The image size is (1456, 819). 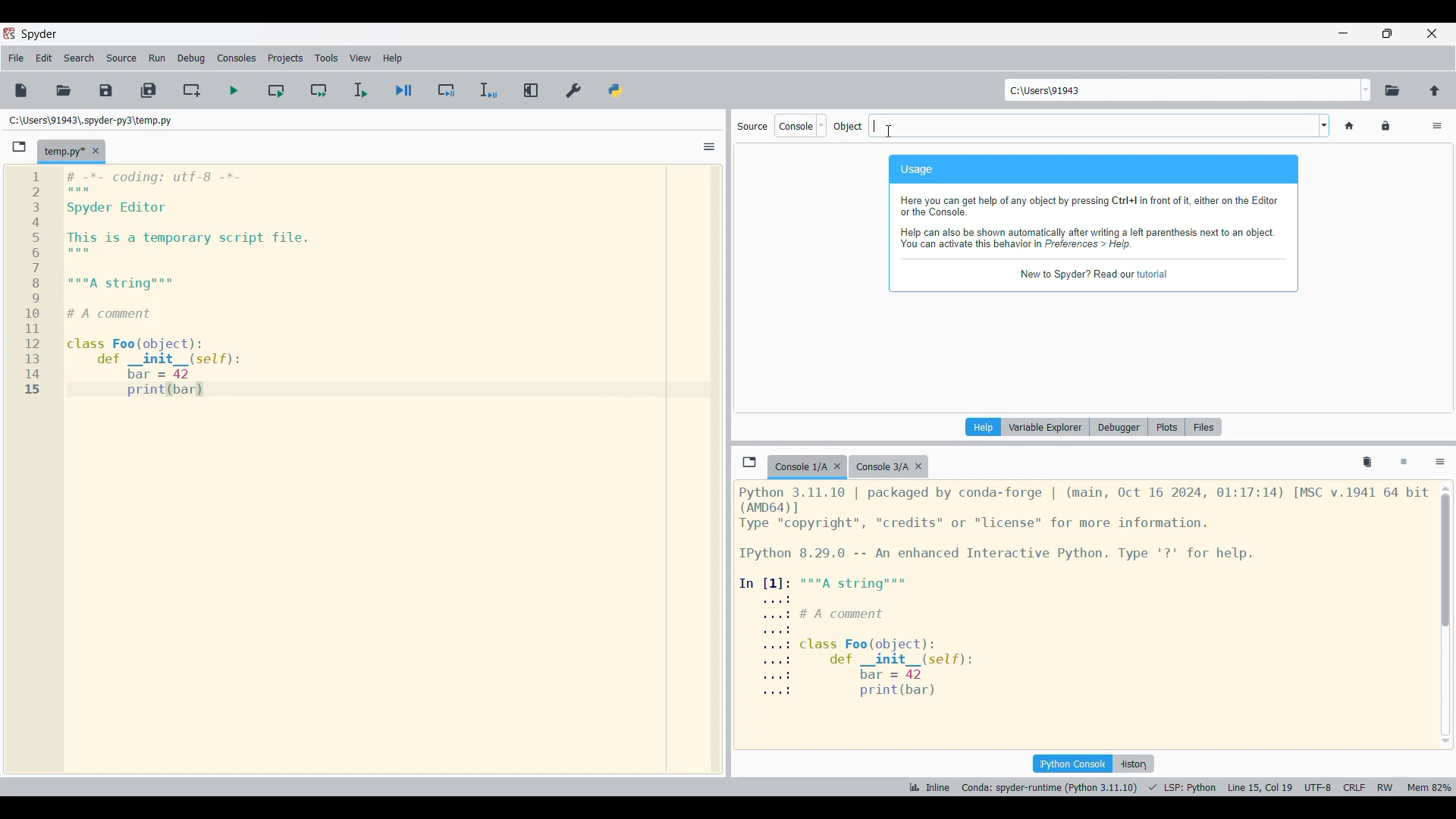 I want to click on Run selection/current line, so click(x=359, y=90).